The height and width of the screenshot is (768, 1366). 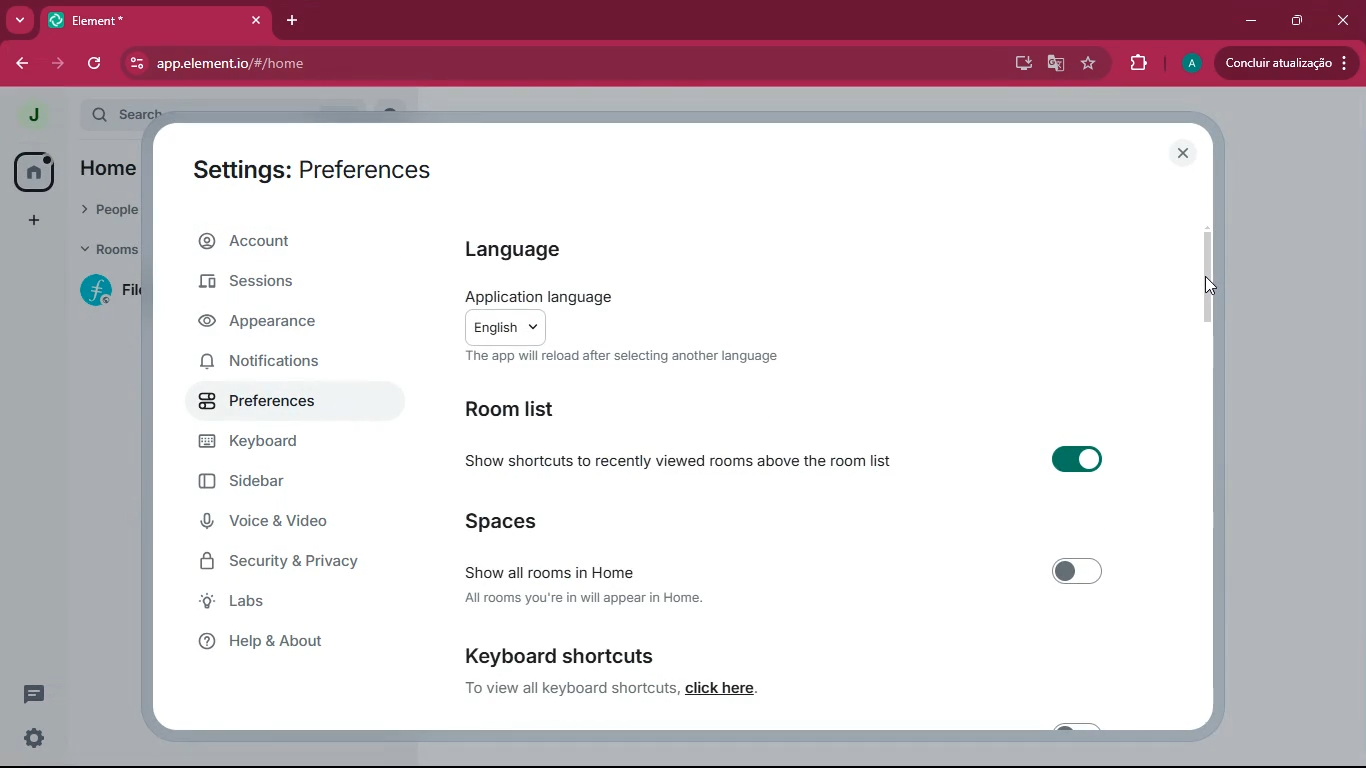 I want to click on All rooms you're in will appear in Home., so click(x=605, y=598).